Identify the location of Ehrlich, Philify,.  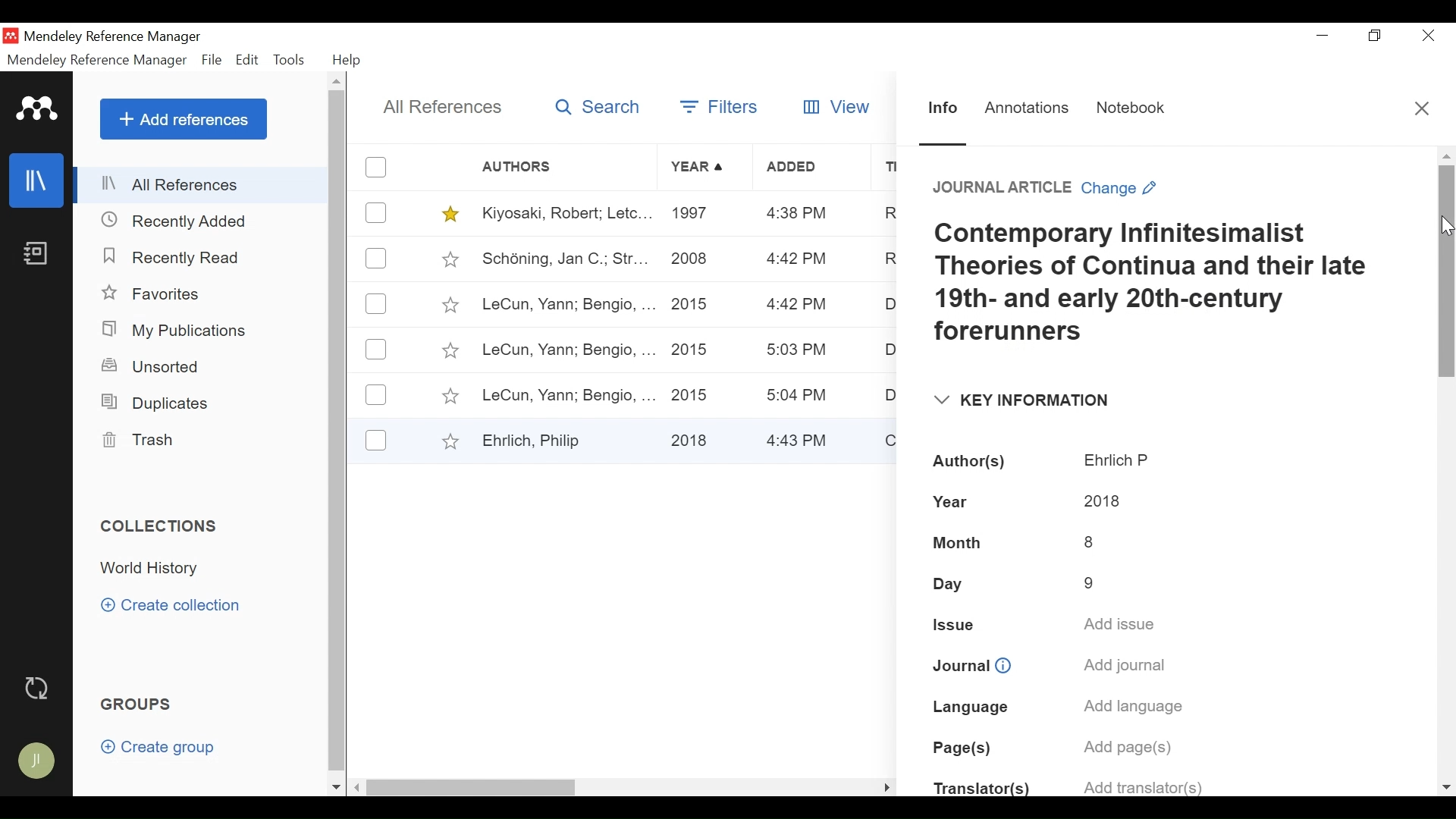
(566, 440).